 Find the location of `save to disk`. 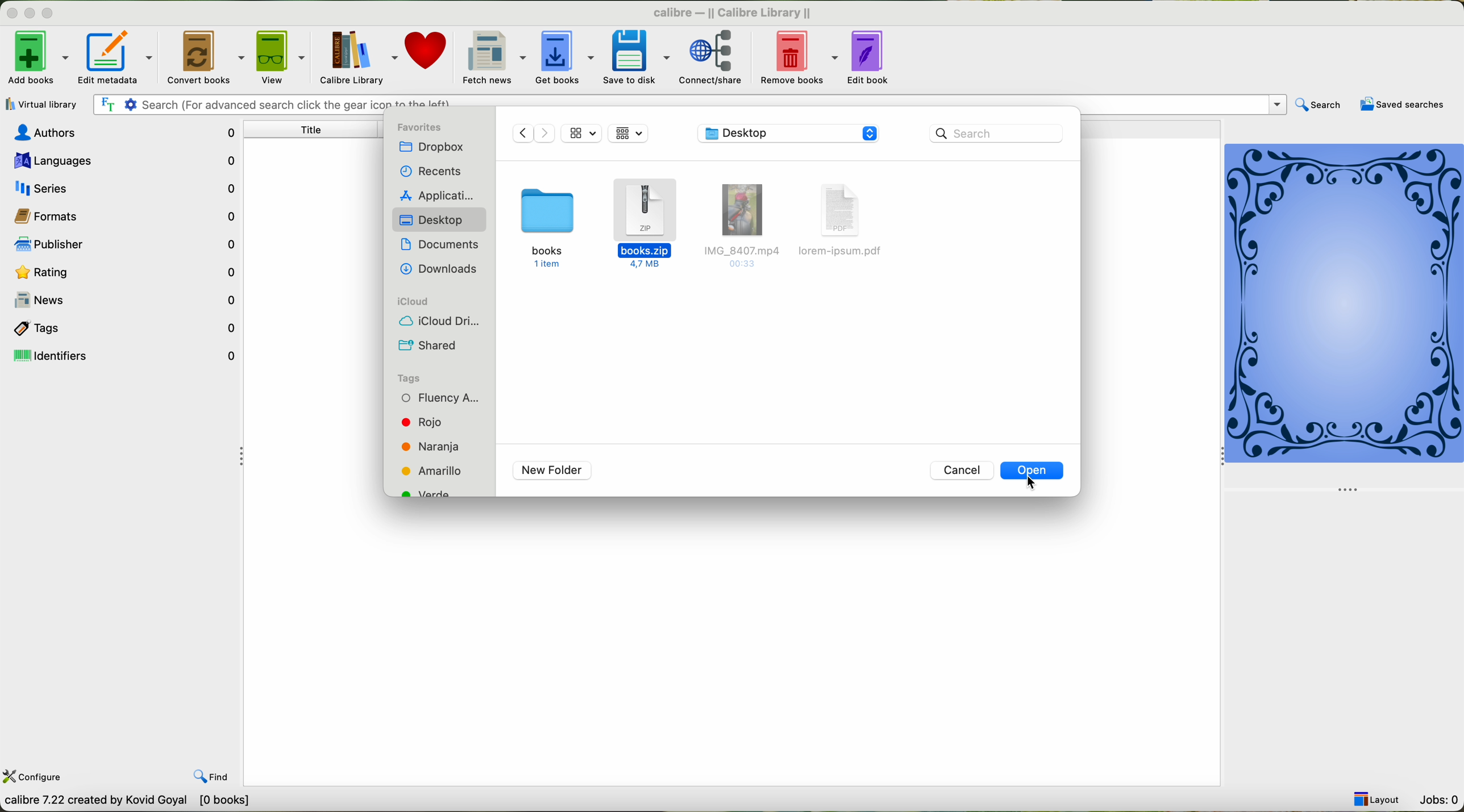

save to disk is located at coordinates (635, 58).